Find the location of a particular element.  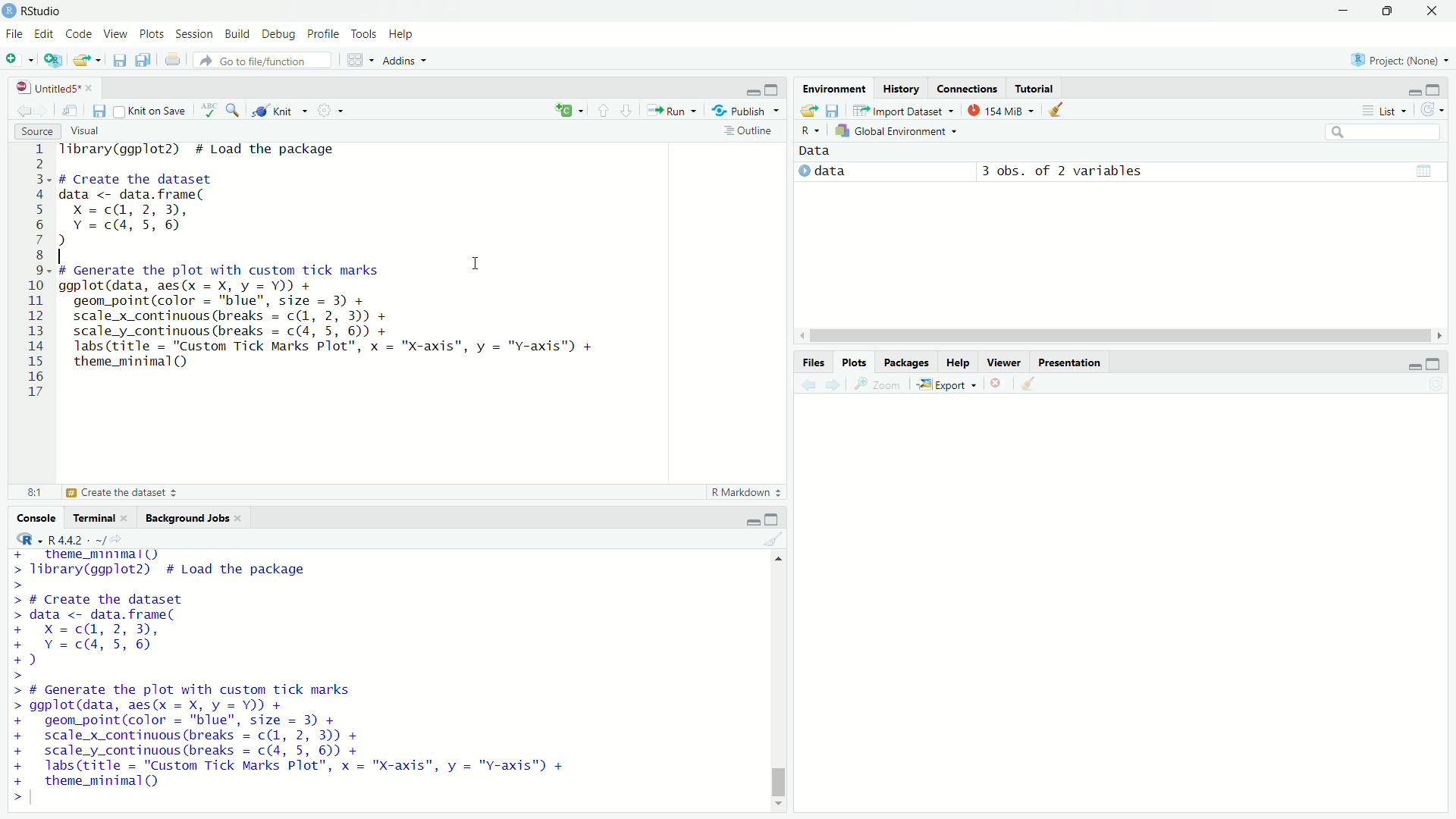

save current document is located at coordinates (99, 109).